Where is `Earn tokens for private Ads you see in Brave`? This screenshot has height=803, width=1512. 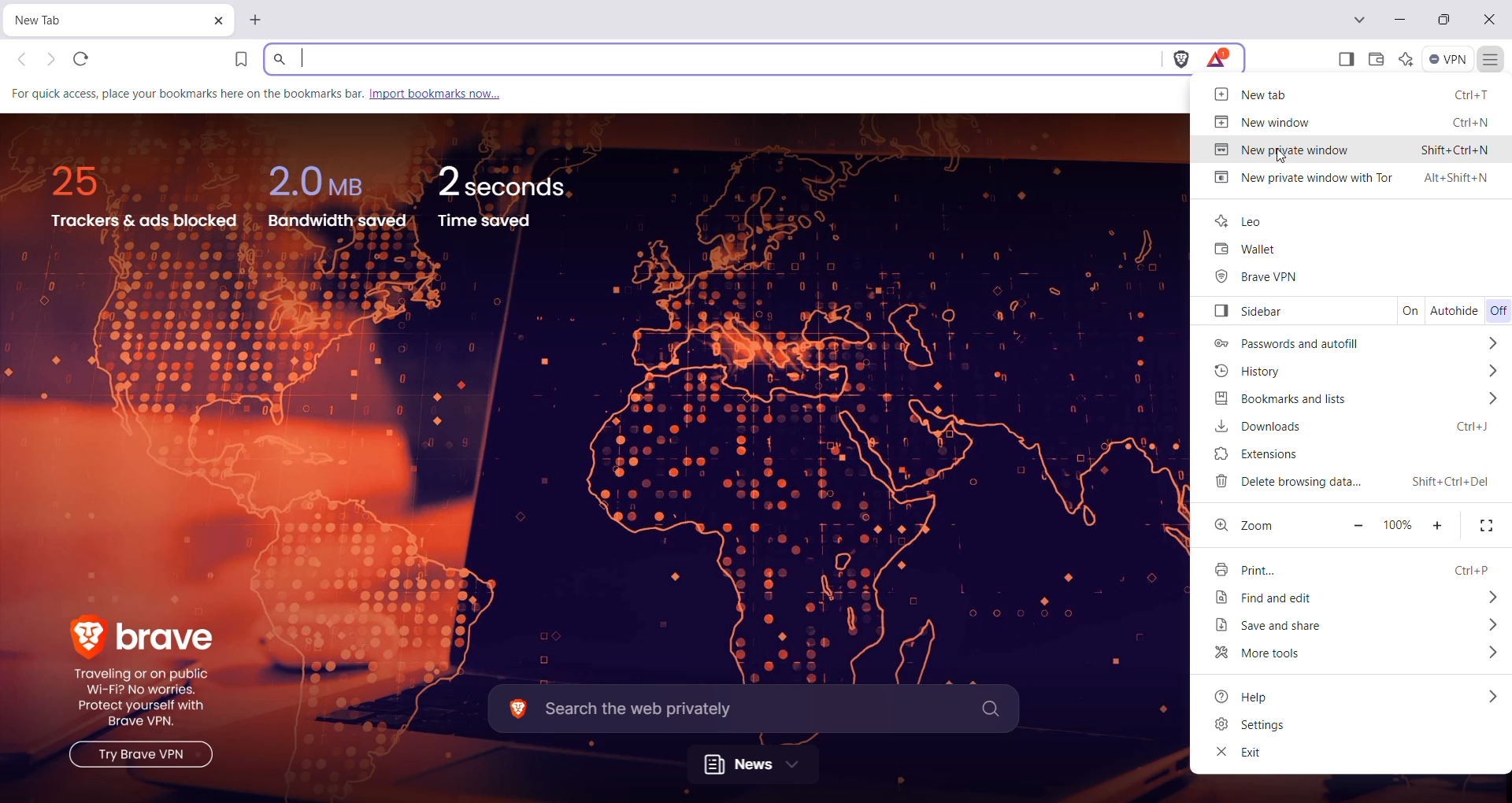
Earn tokens for private Ads you see in Brave is located at coordinates (1219, 58).